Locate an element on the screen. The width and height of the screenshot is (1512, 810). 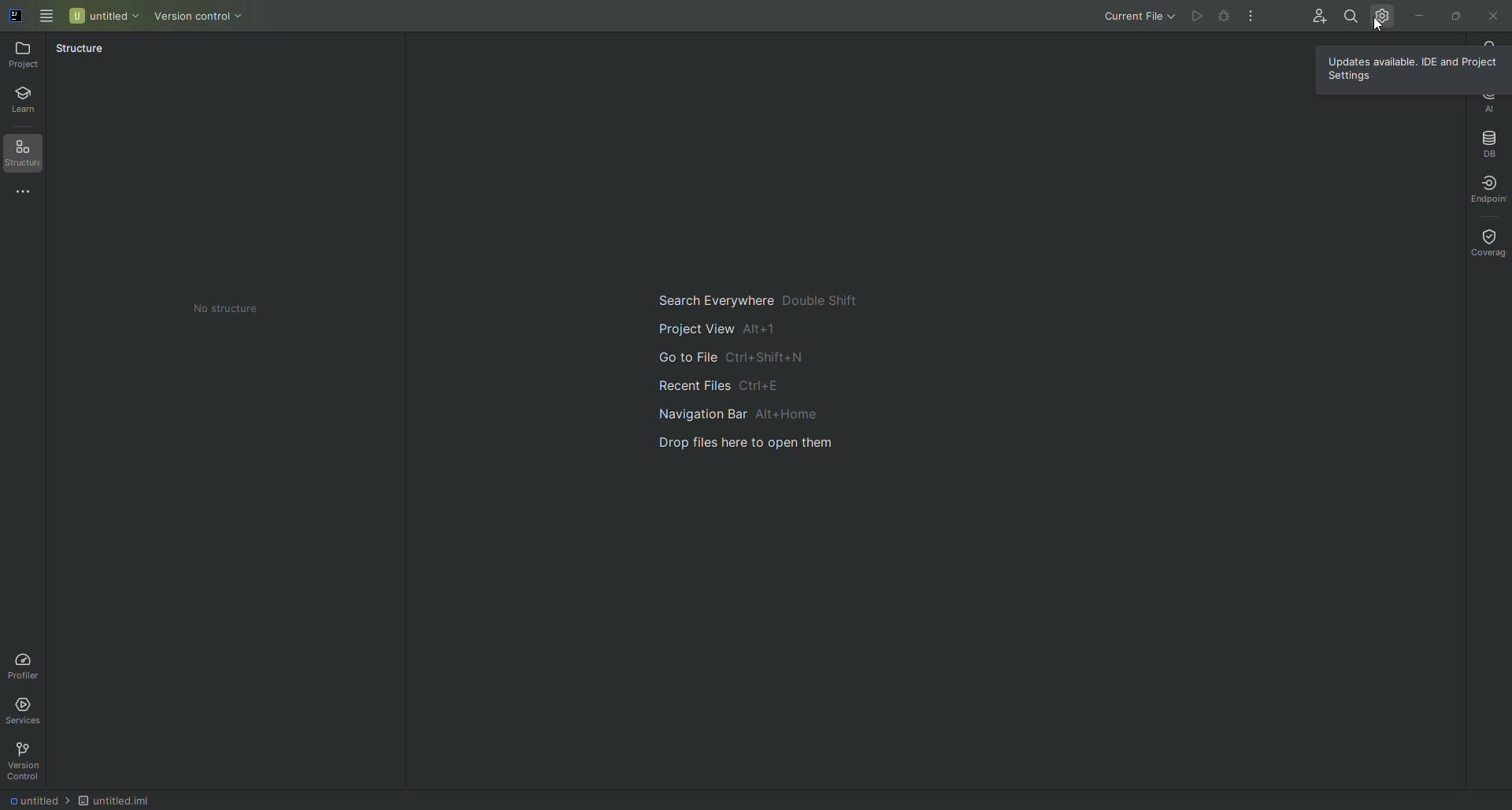
File type is located at coordinates (131, 798).